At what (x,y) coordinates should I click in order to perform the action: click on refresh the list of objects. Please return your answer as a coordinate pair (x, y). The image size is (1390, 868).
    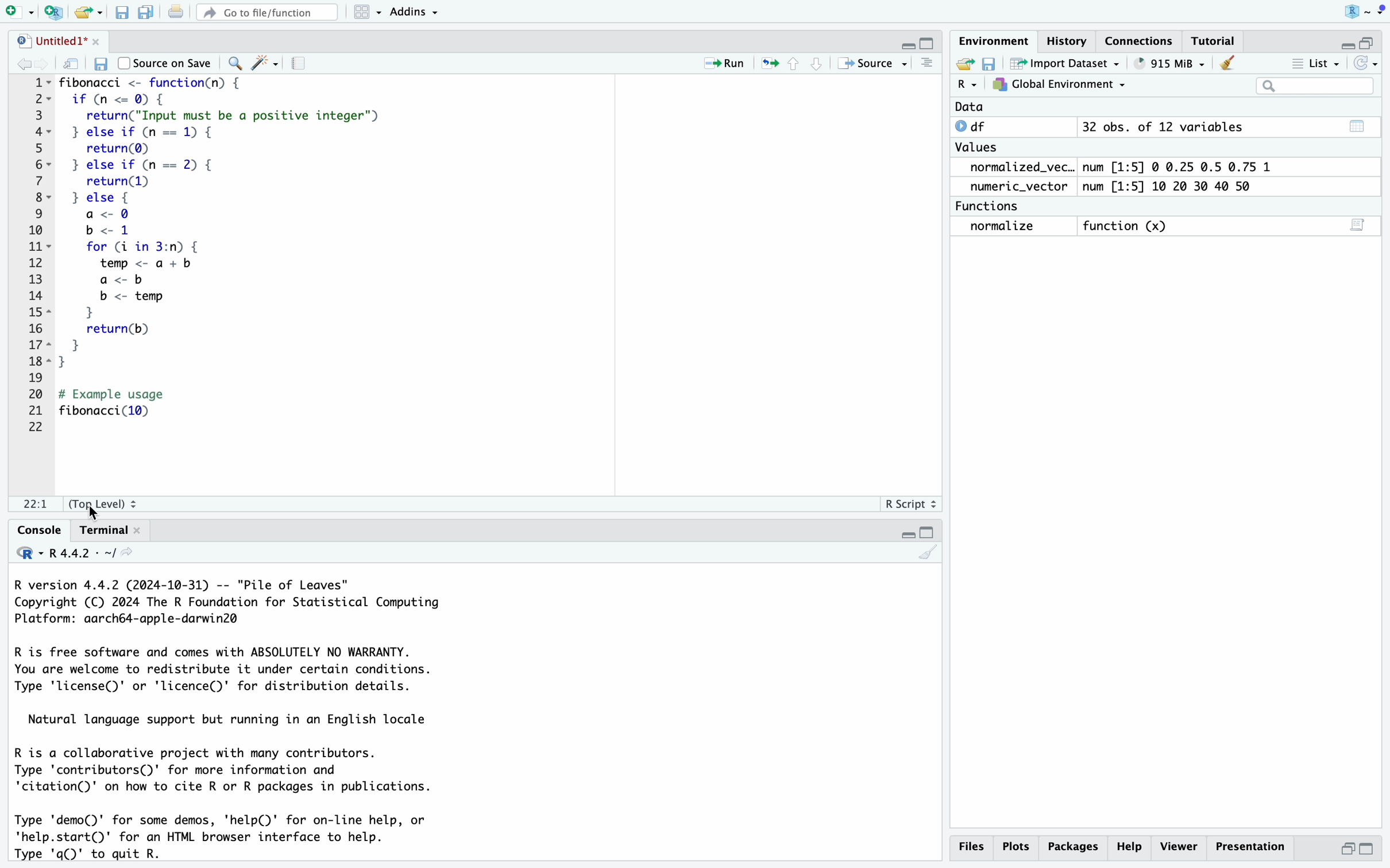
    Looking at the image, I should click on (1370, 64).